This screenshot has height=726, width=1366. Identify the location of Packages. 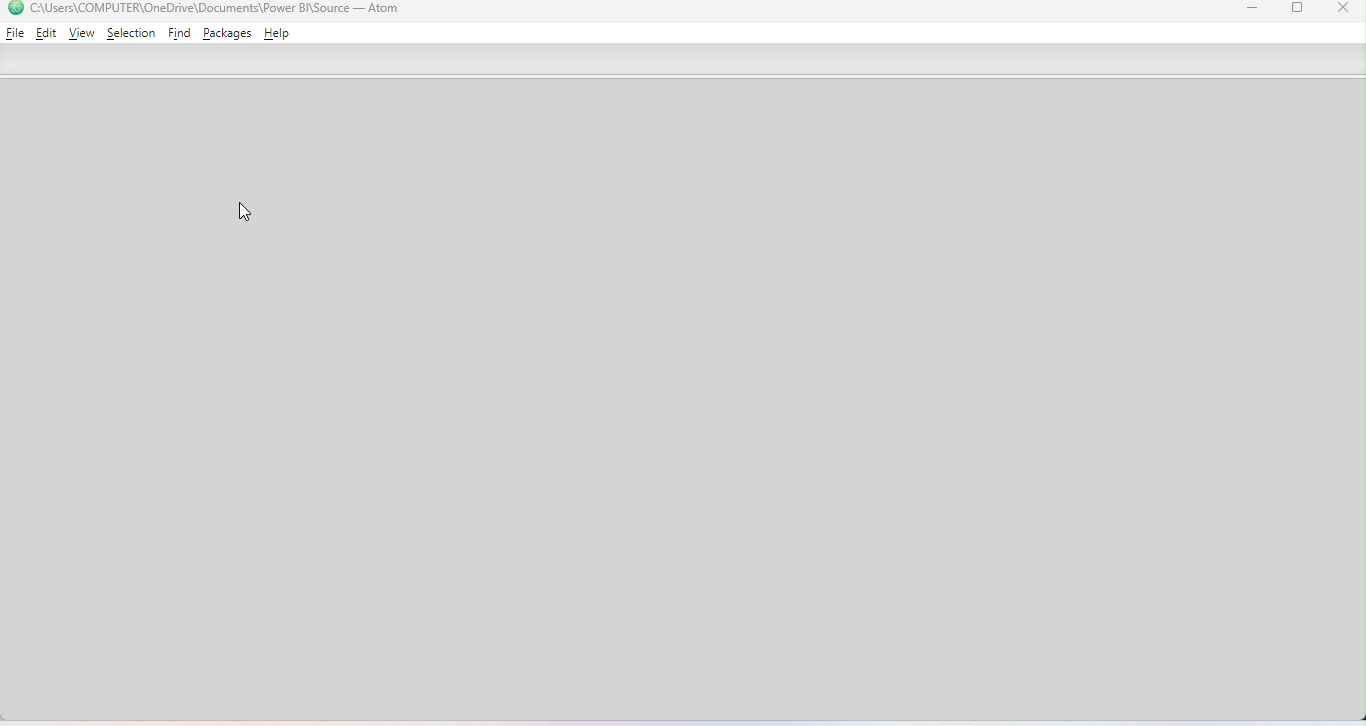
(230, 33).